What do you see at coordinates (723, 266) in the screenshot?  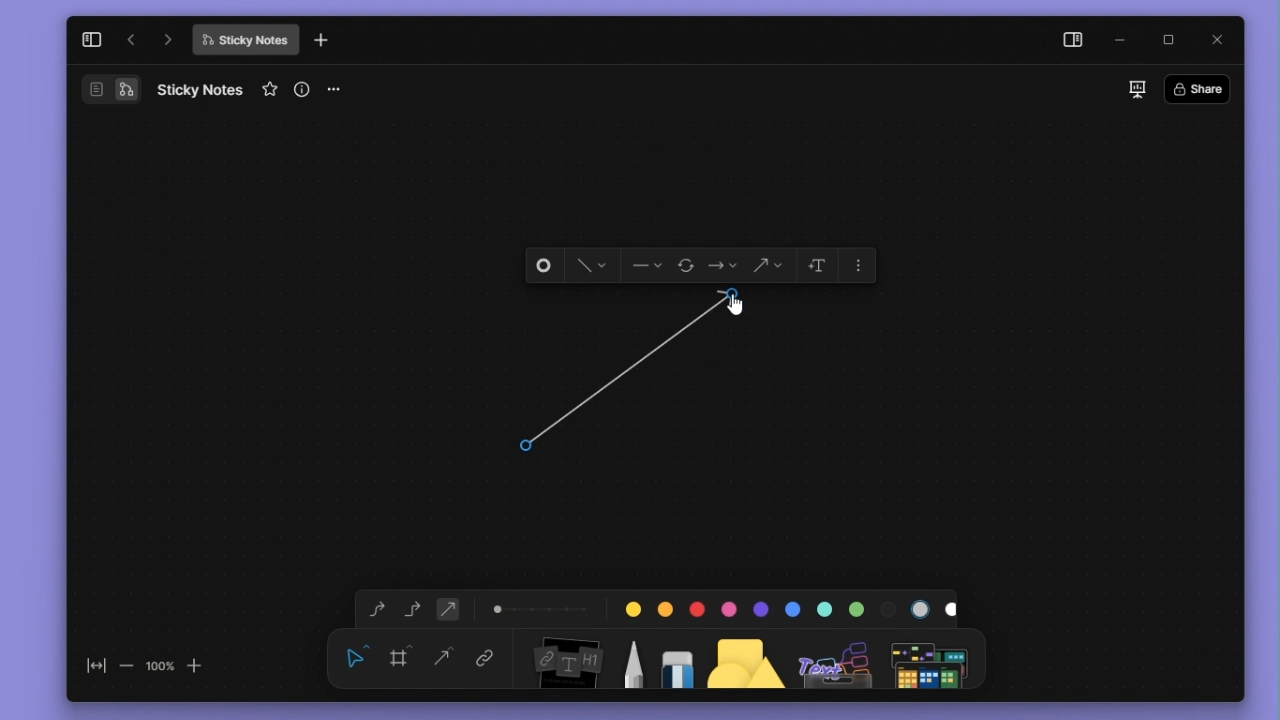 I see `end point style` at bounding box center [723, 266].